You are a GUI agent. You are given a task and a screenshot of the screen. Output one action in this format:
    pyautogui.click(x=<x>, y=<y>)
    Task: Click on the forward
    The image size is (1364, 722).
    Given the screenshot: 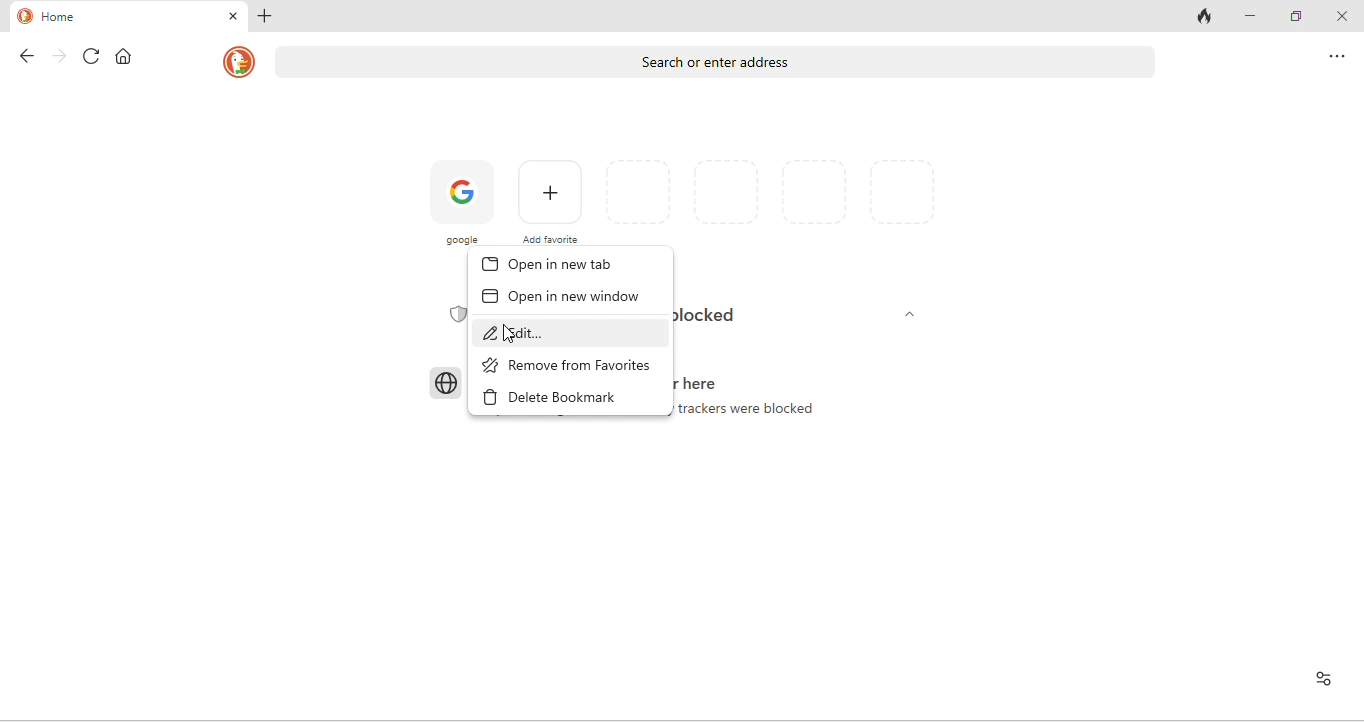 What is the action you would take?
    pyautogui.click(x=52, y=57)
    